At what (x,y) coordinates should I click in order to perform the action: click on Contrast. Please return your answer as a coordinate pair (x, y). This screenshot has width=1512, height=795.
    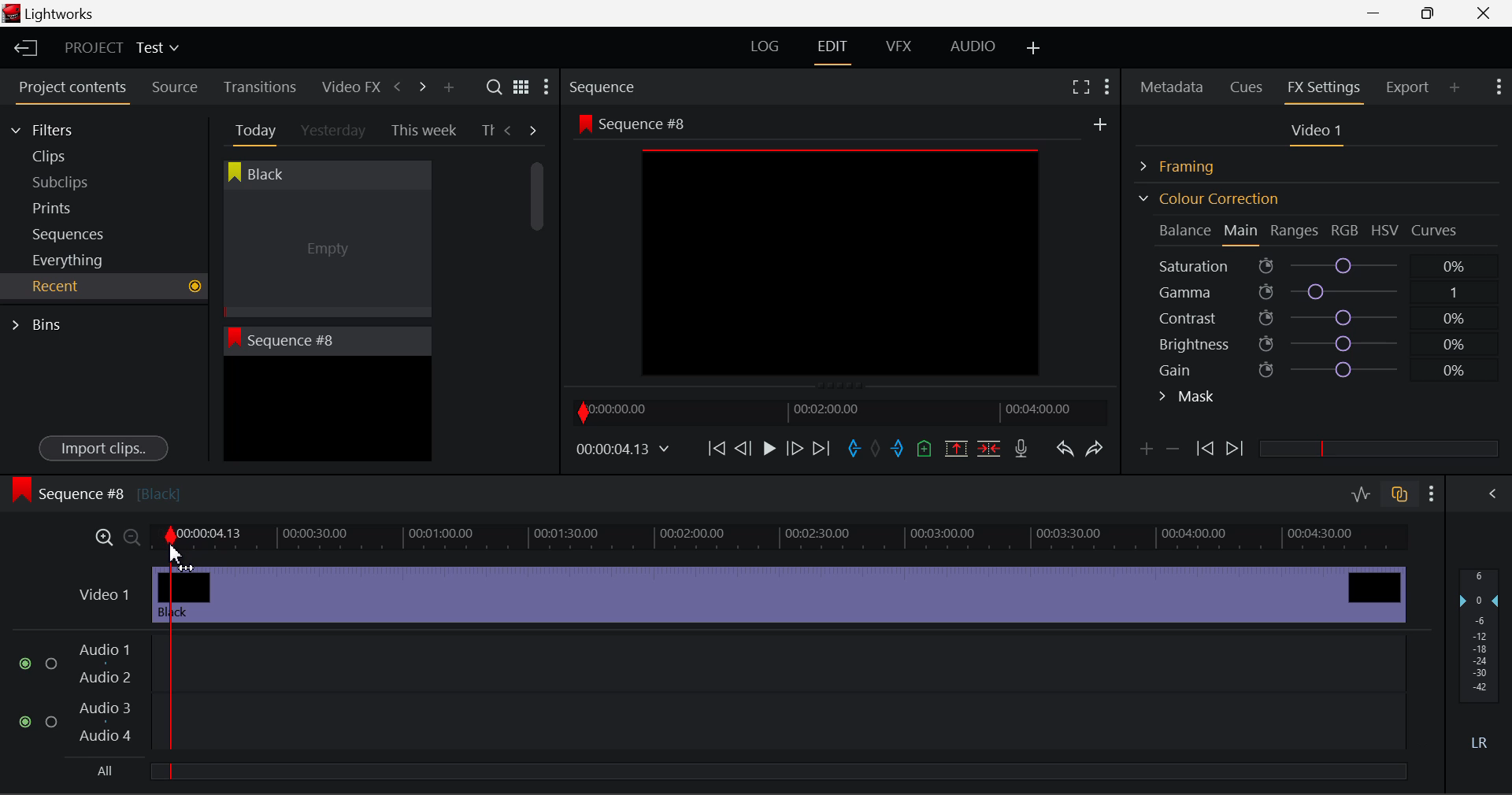
    Looking at the image, I should click on (1318, 317).